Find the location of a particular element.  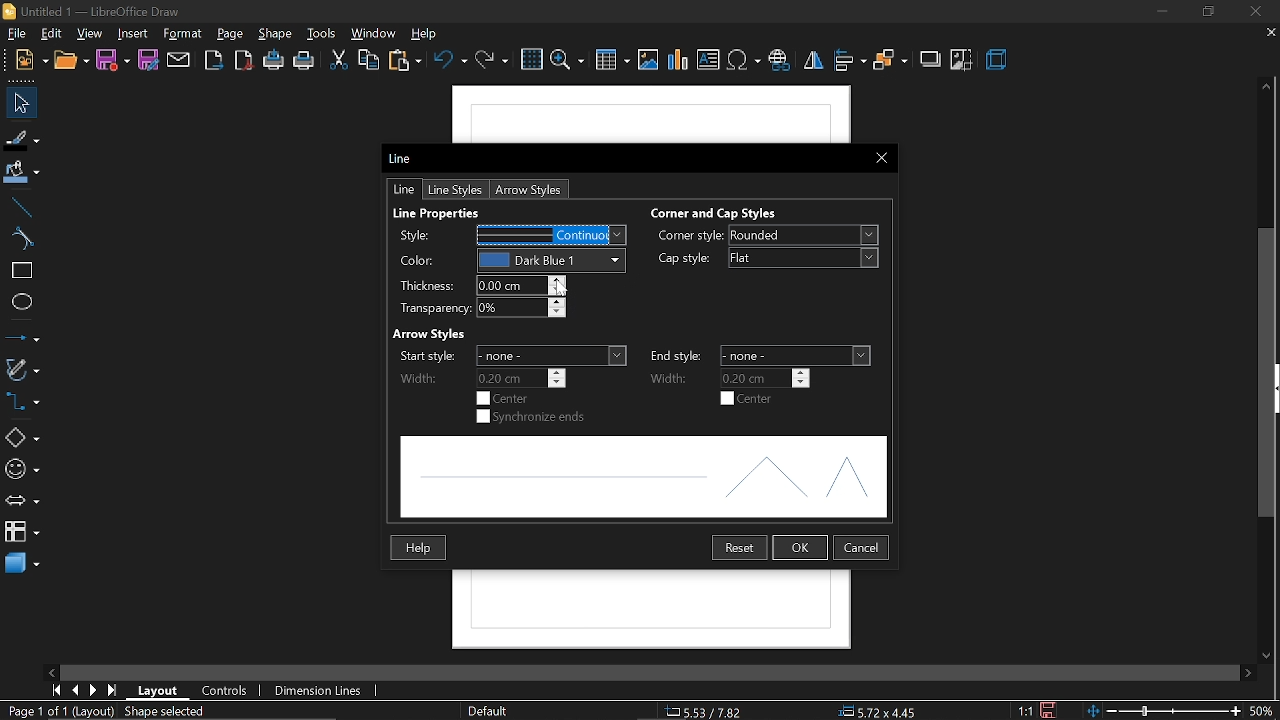

window is located at coordinates (374, 32).